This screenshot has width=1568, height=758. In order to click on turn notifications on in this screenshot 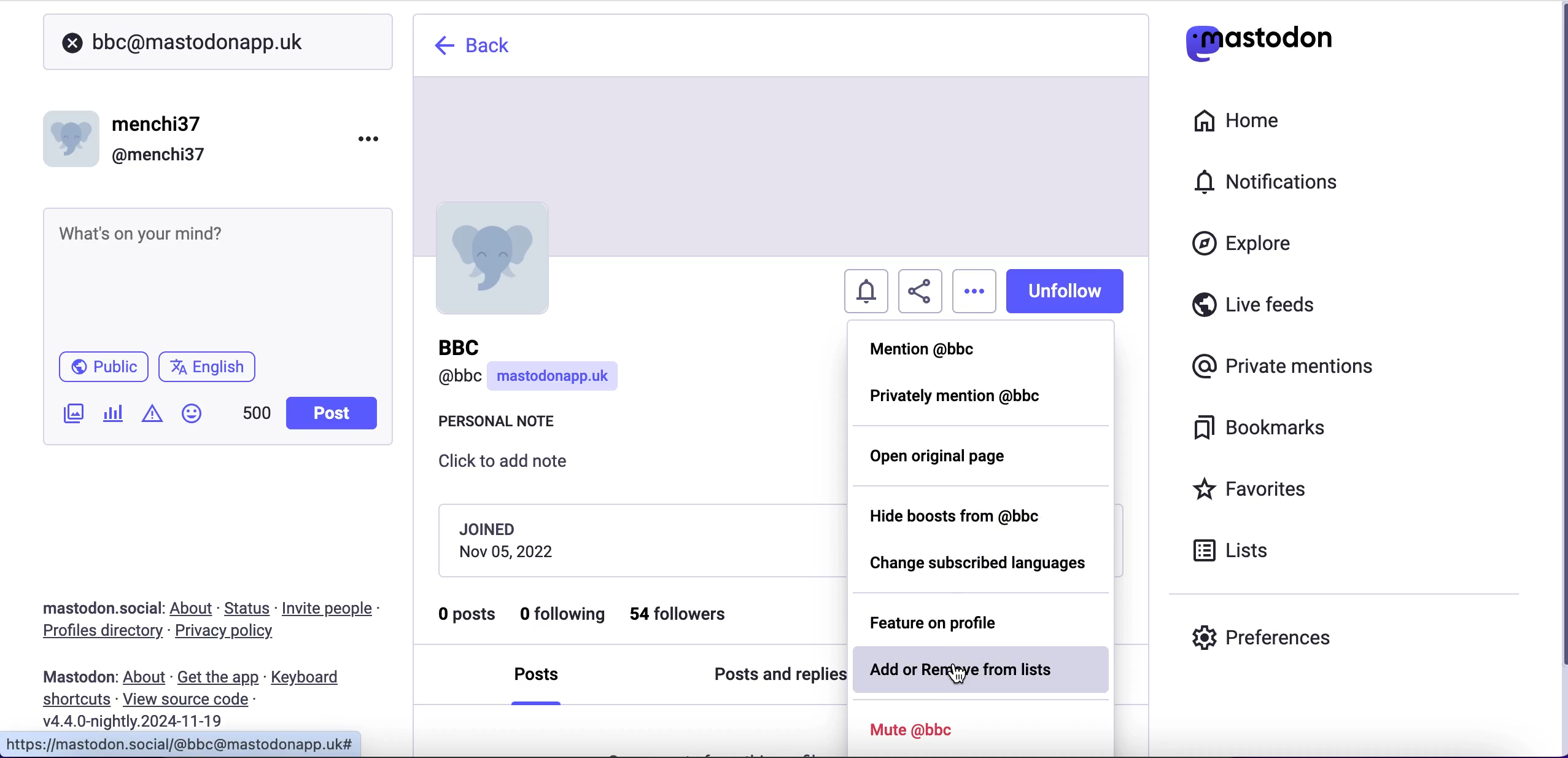, I will do `click(867, 287)`.